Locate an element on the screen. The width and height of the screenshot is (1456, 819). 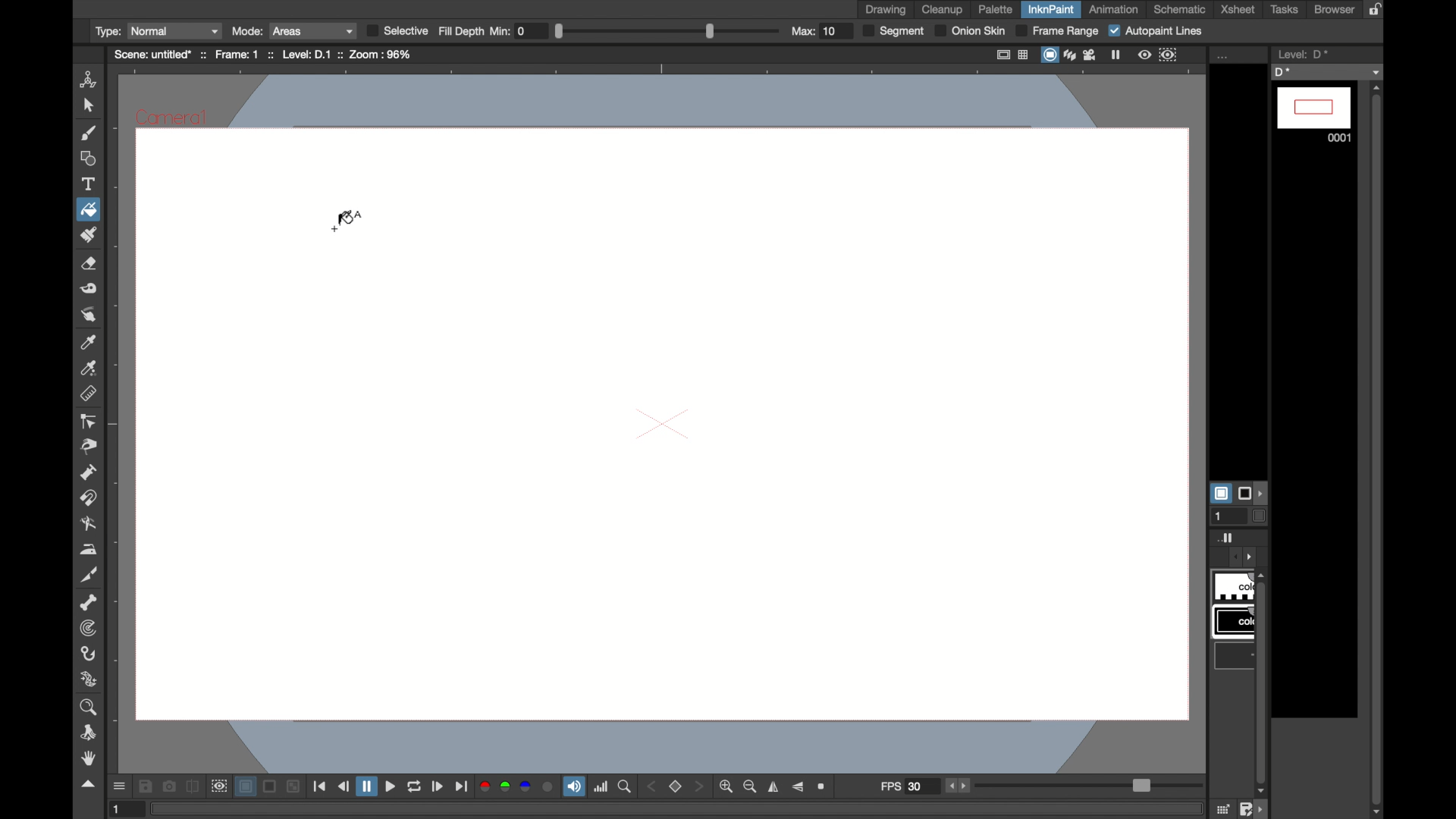
Mode: is located at coordinates (248, 30).